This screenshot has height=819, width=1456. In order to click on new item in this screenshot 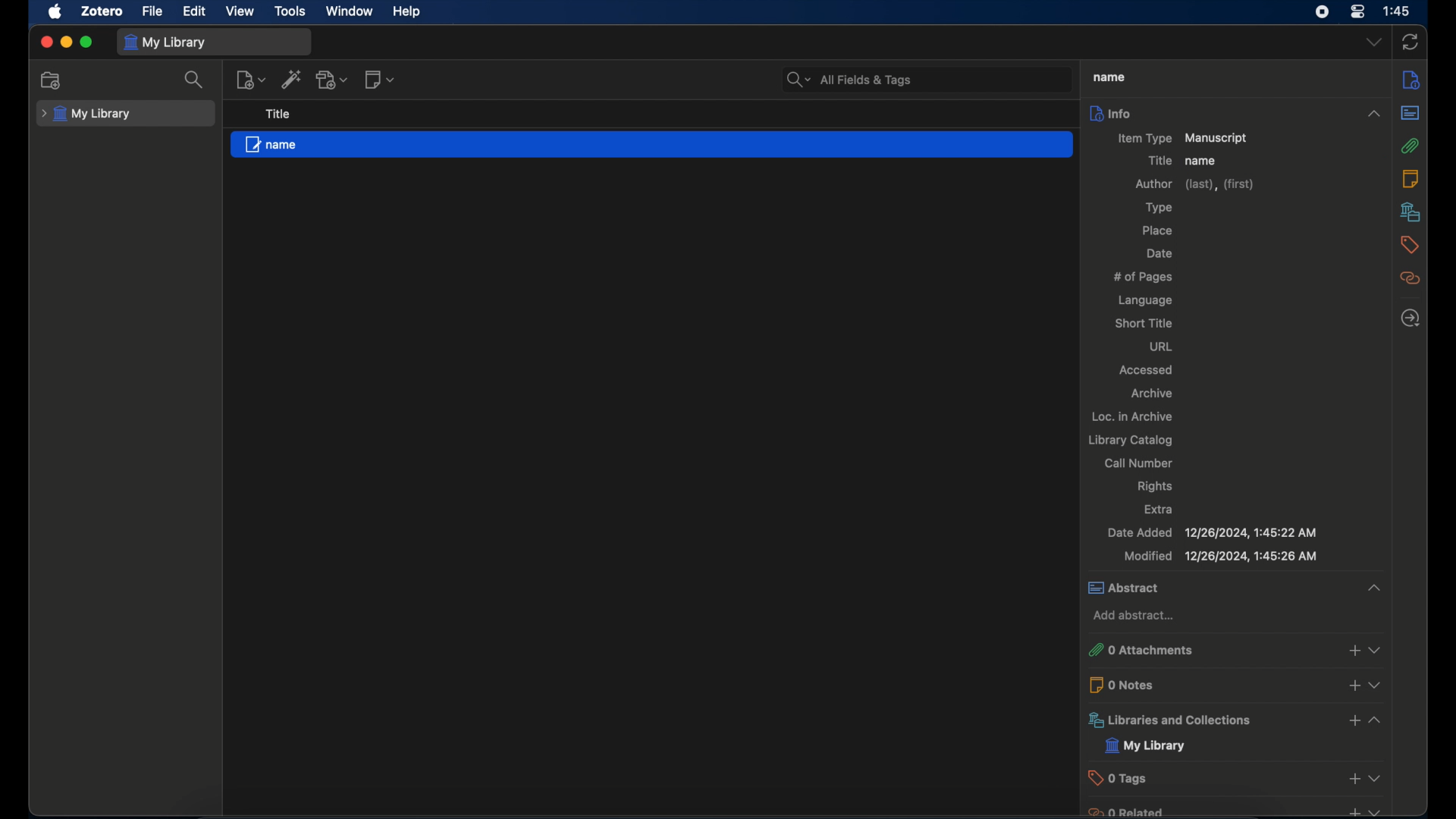, I will do `click(250, 80)`.